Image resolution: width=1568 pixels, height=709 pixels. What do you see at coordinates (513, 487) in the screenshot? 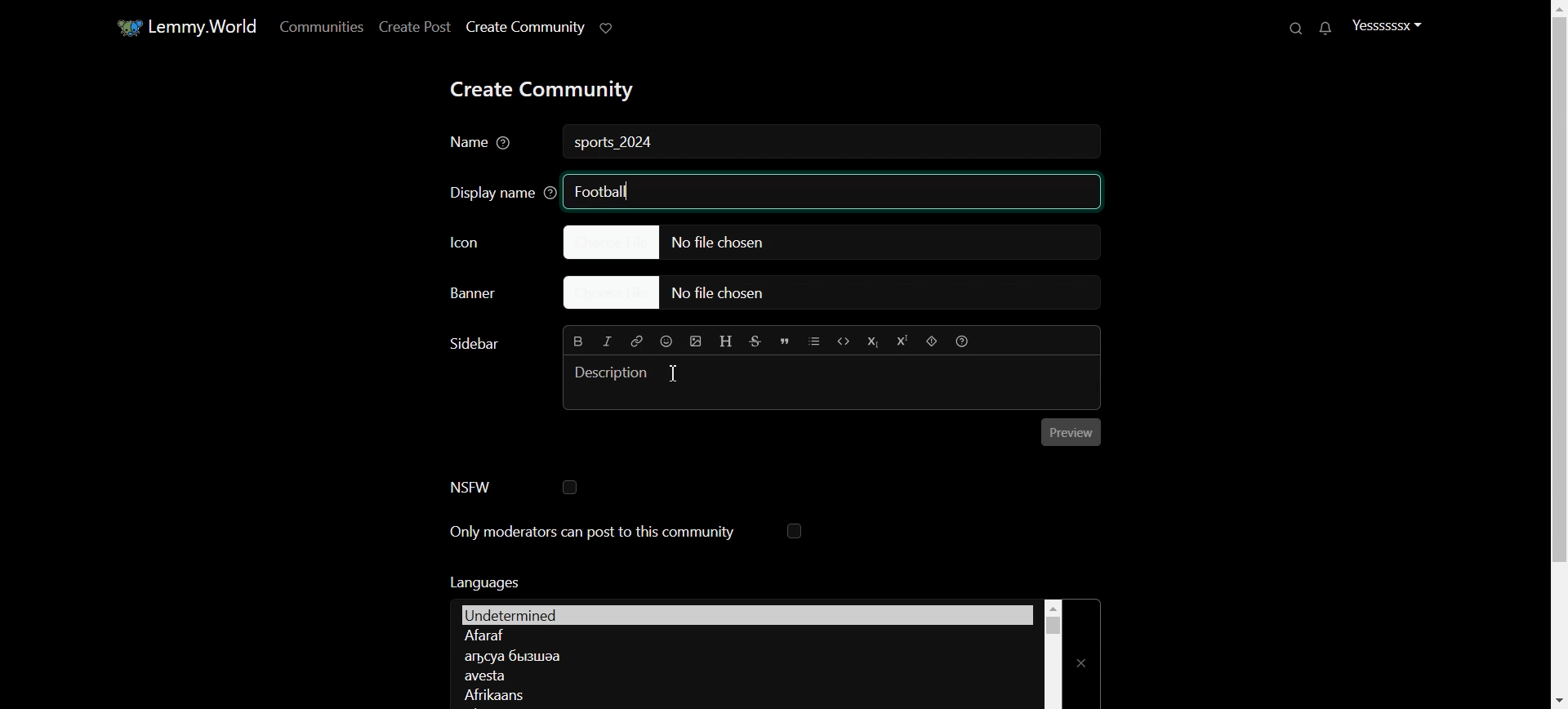
I see `NSFW` at bounding box center [513, 487].